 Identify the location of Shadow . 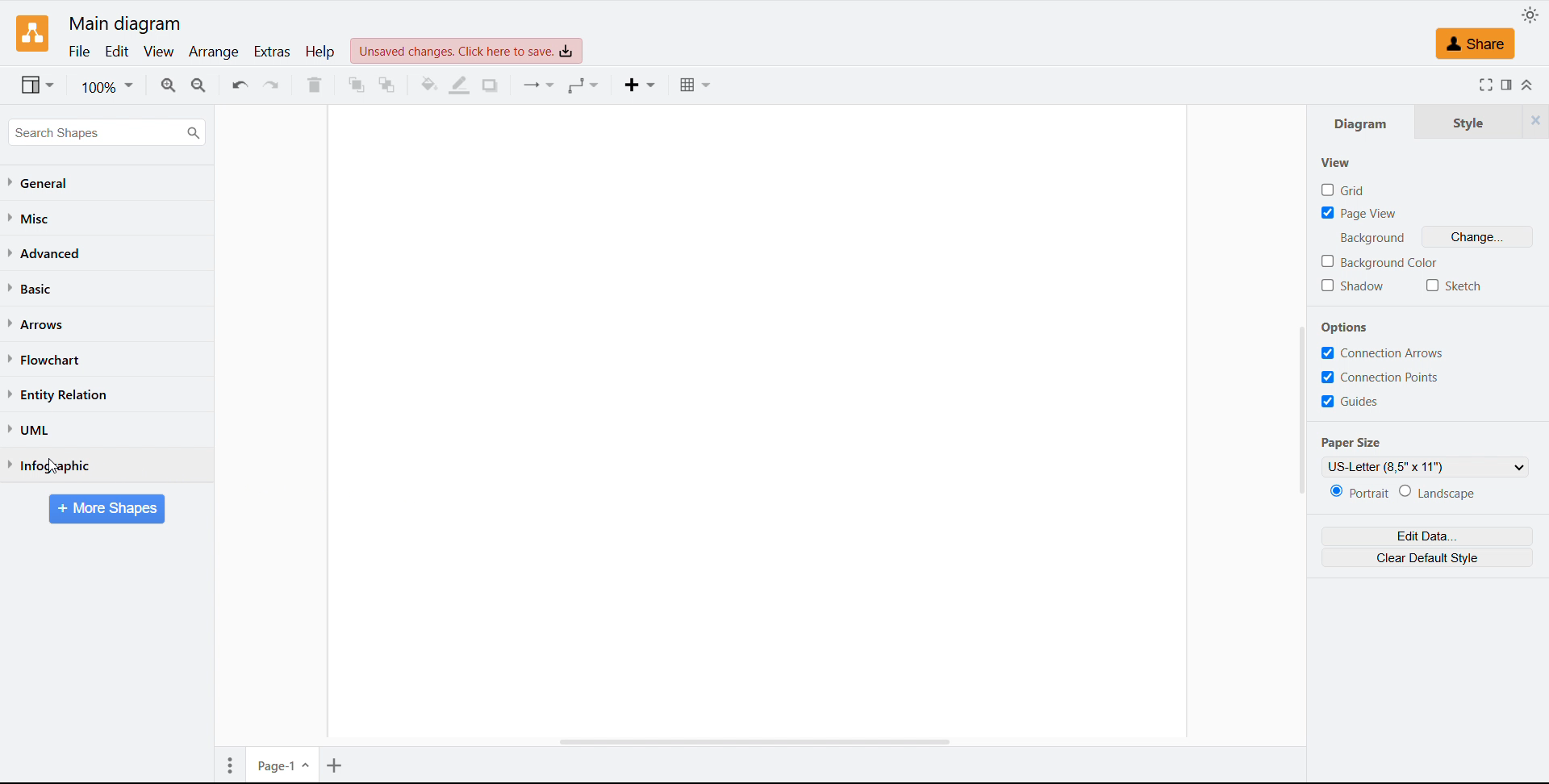
(1356, 286).